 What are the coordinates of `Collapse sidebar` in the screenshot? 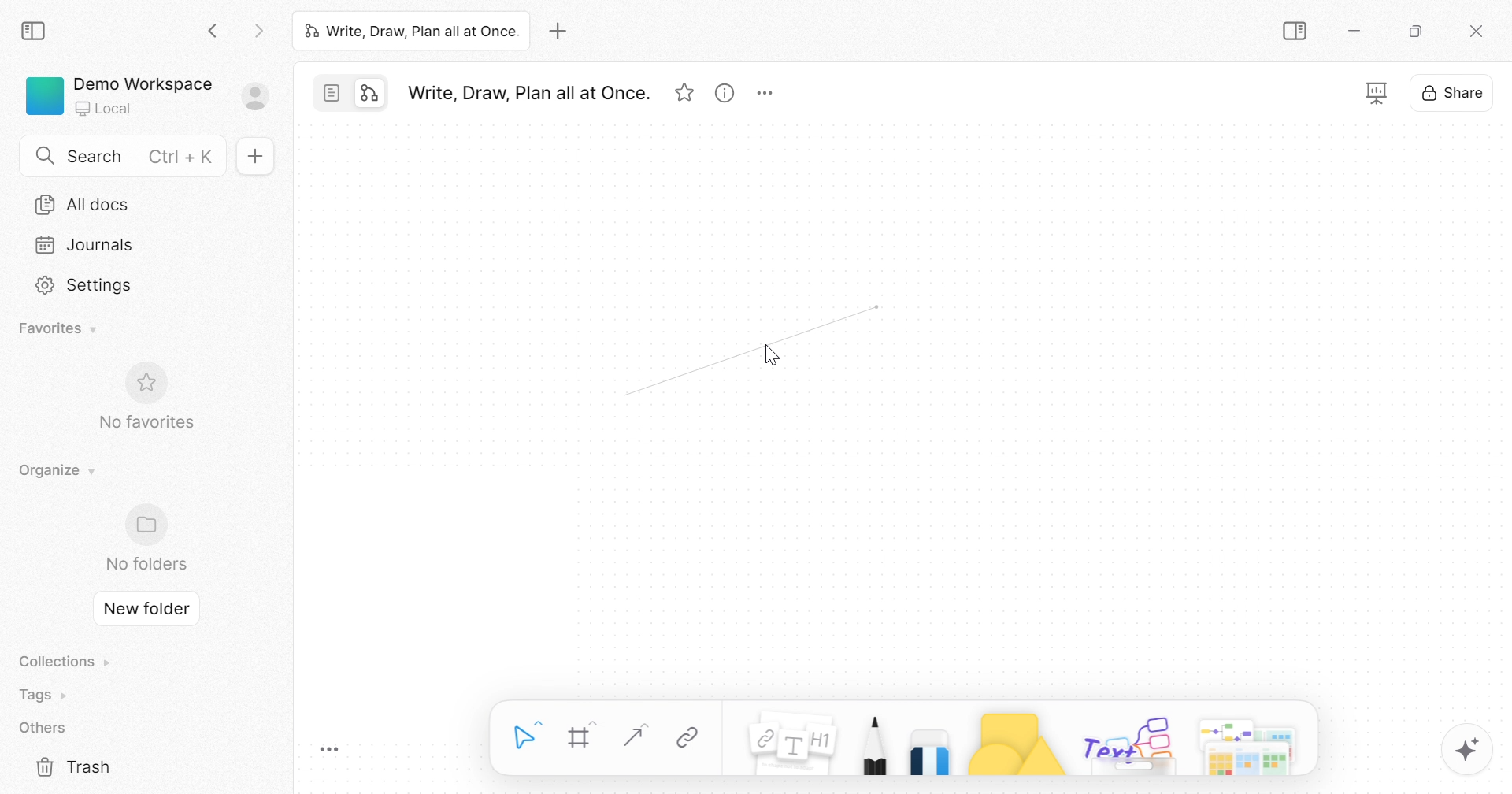 It's located at (35, 31).